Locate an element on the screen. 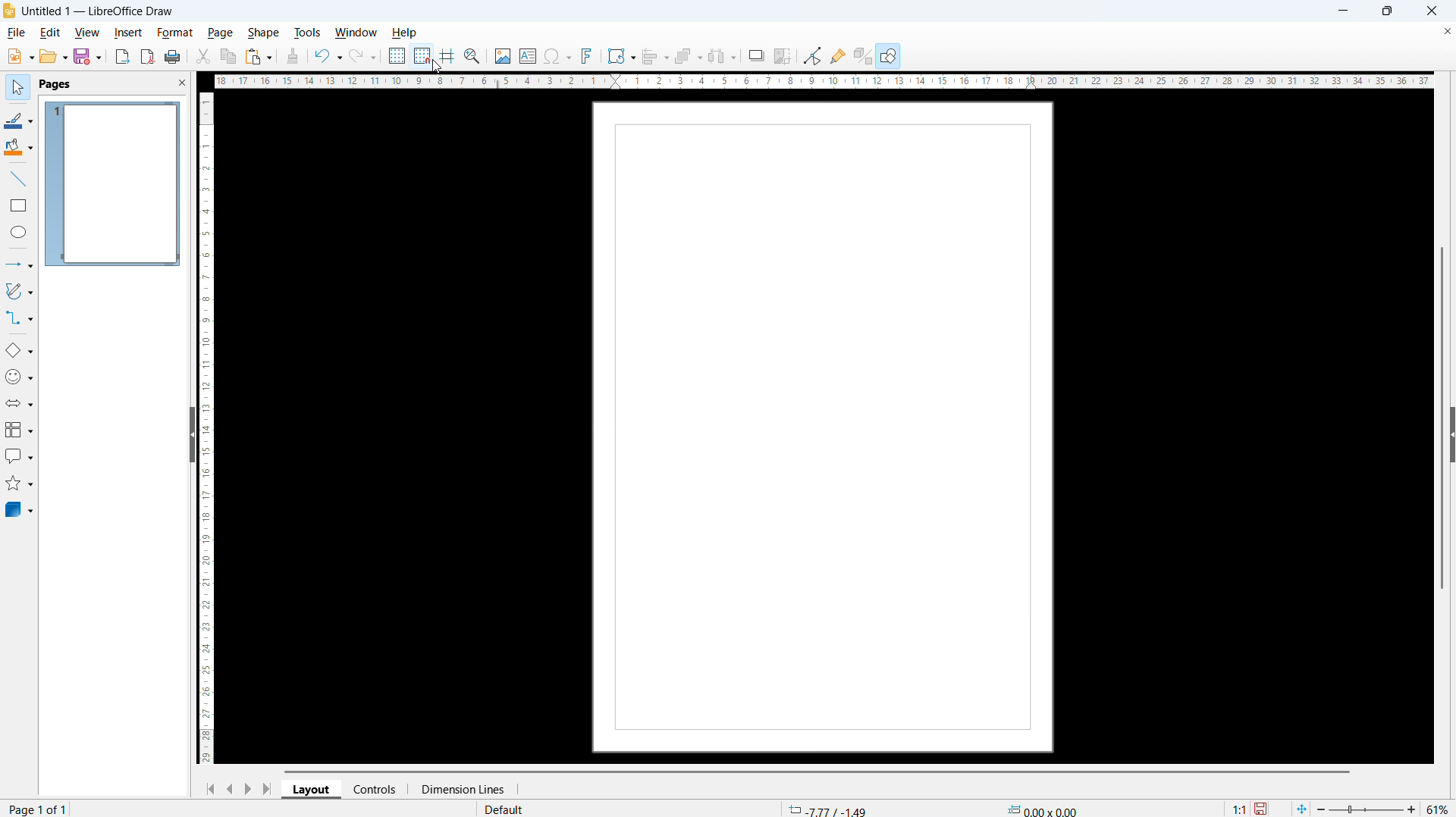 Image resolution: width=1456 pixels, height=817 pixels. rectangle is located at coordinates (17, 205).